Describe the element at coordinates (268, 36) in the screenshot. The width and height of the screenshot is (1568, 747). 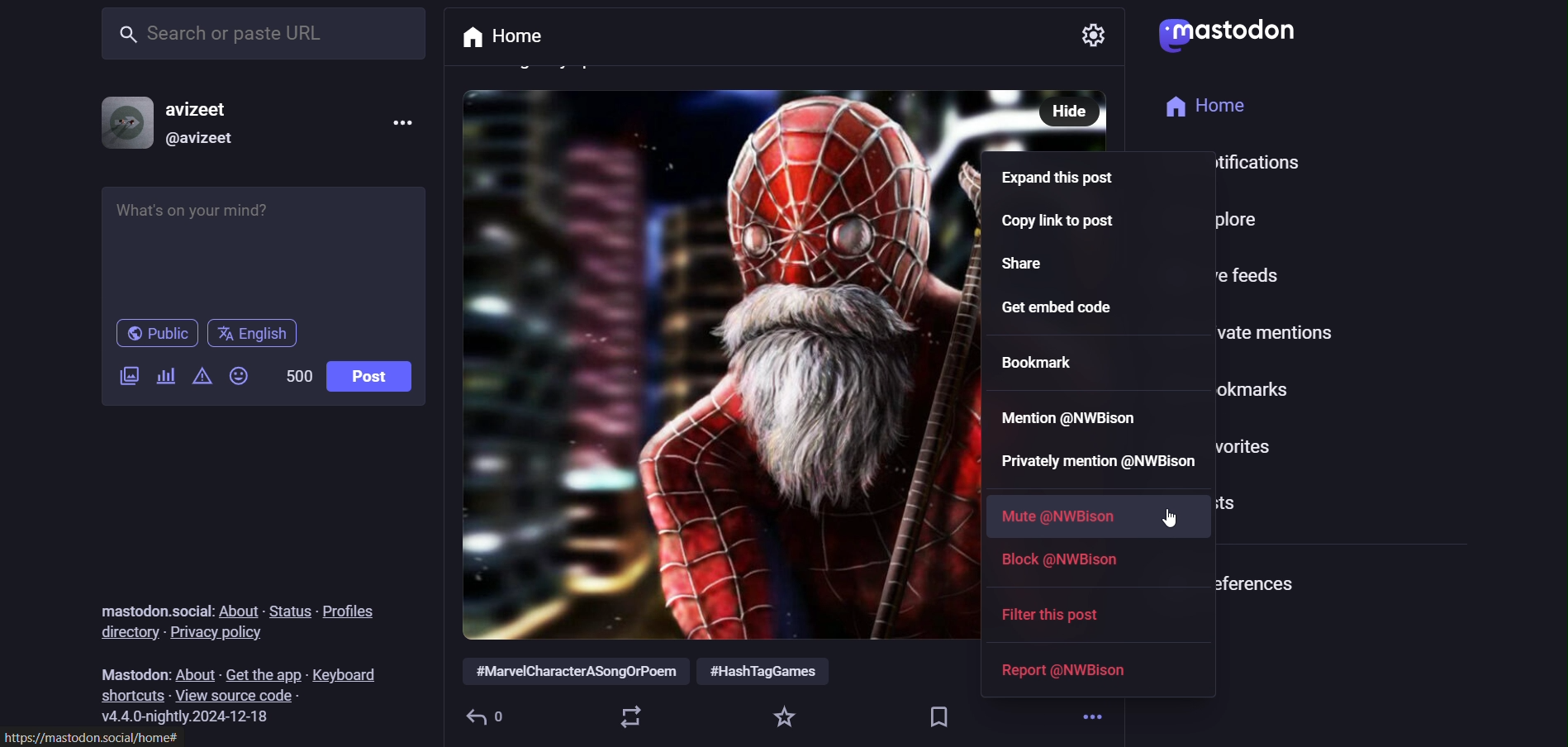
I see `search` at that location.